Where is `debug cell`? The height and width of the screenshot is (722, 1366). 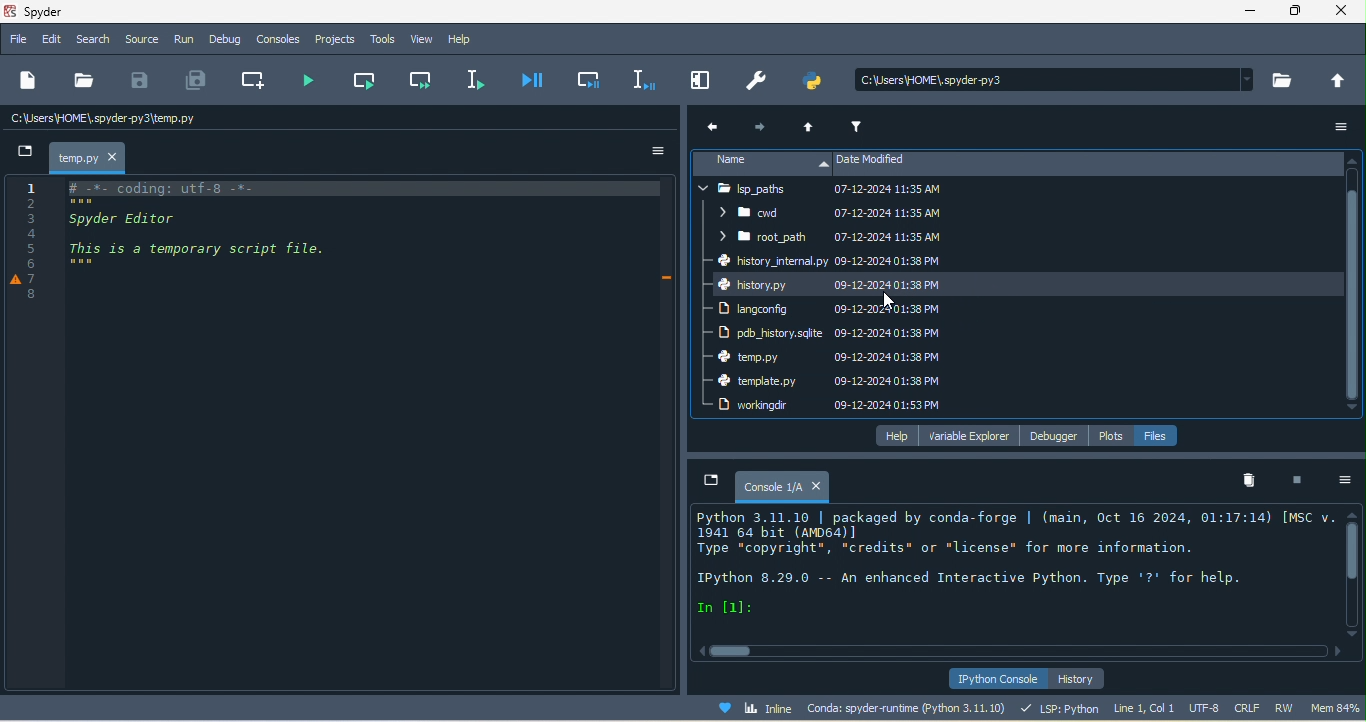 debug cell is located at coordinates (592, 78).